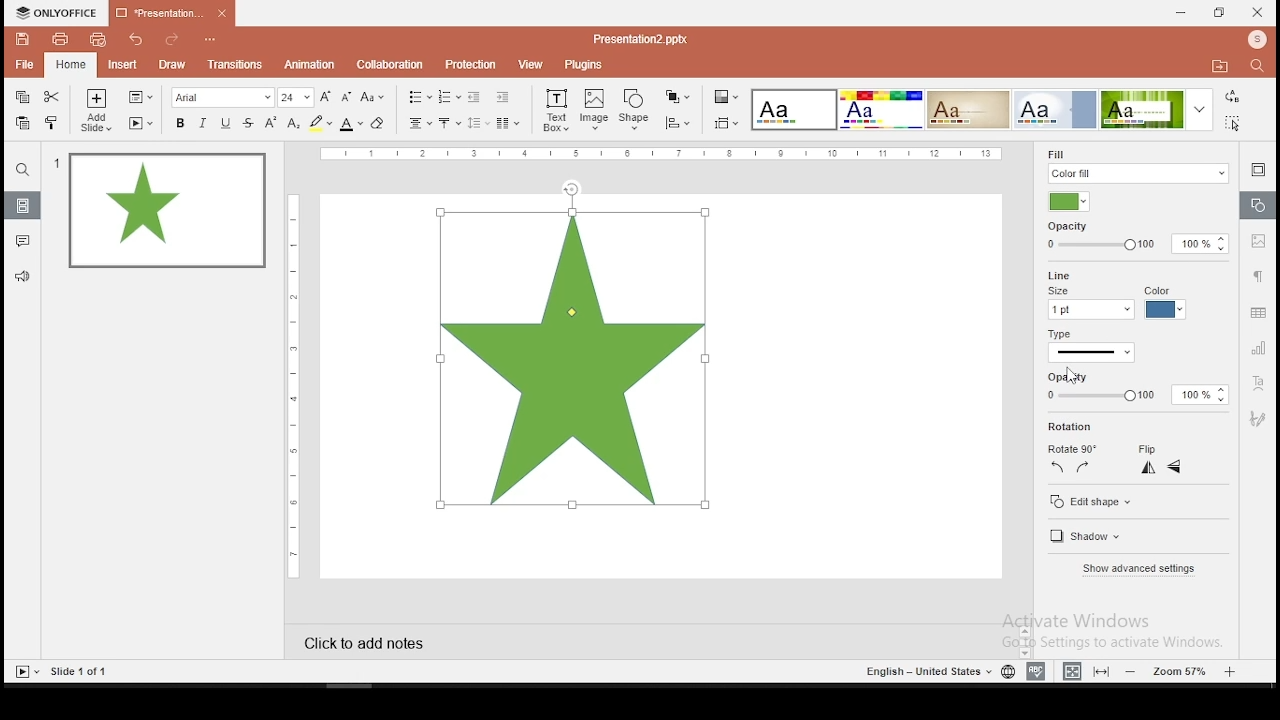 The width and height of the screenshot is (1280, 720). What do you see at coordinates (172, 12) in the screenshot?
I see `presentation` at bounding box center [172, 12].